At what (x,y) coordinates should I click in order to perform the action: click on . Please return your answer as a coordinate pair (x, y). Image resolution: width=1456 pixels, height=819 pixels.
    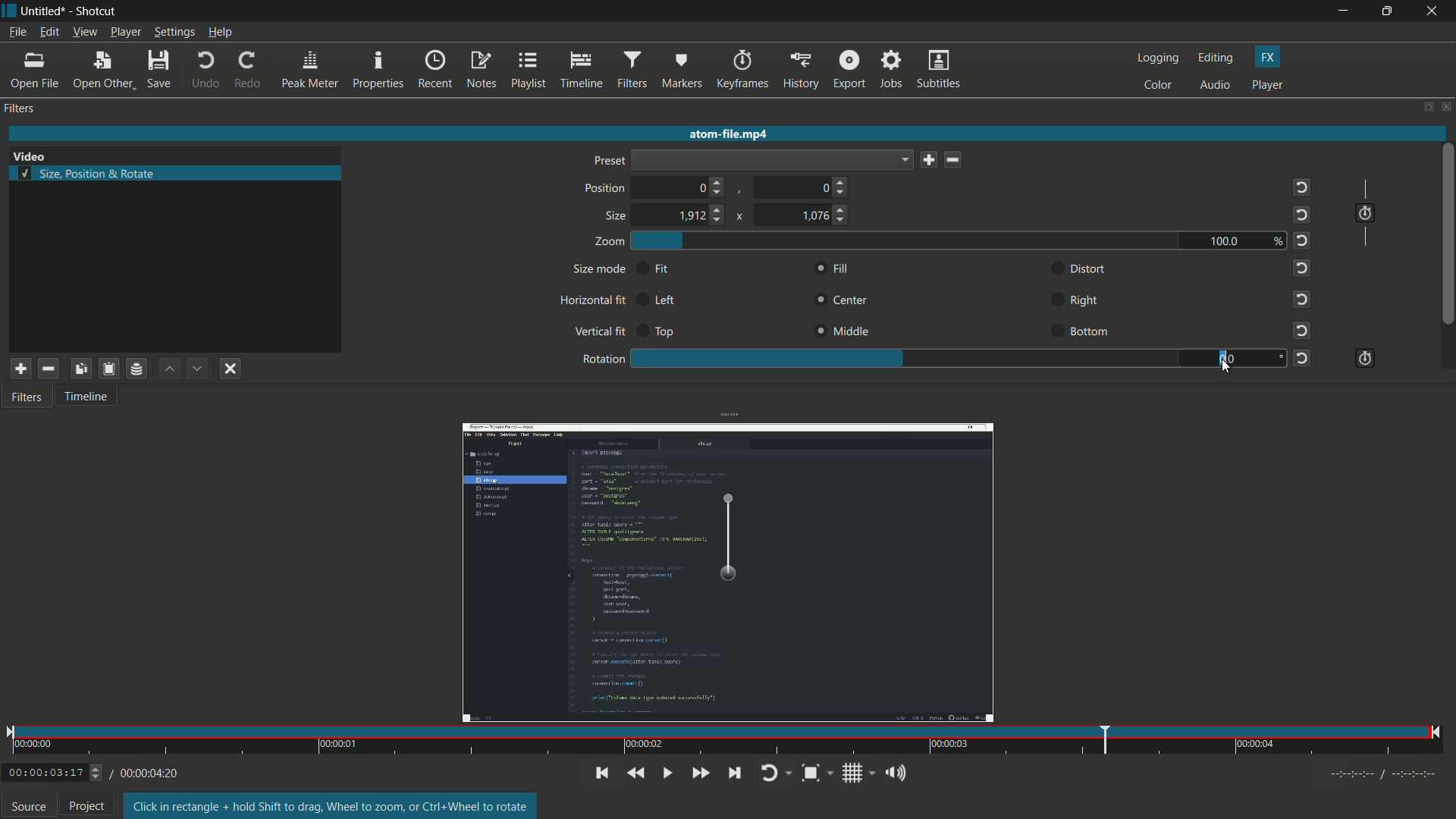
    Looking at the image, I should click on (1302, 331).